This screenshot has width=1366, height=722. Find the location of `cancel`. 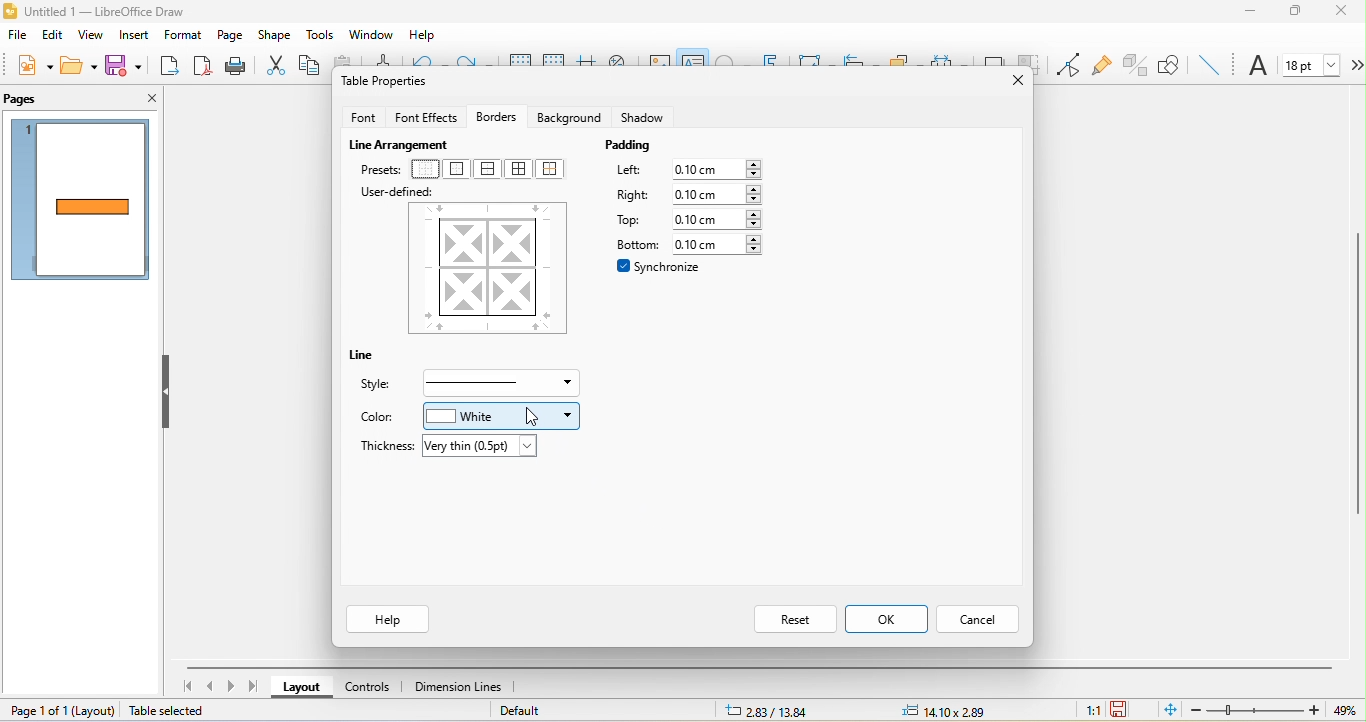

cancel is located at coordinates (980, 619).